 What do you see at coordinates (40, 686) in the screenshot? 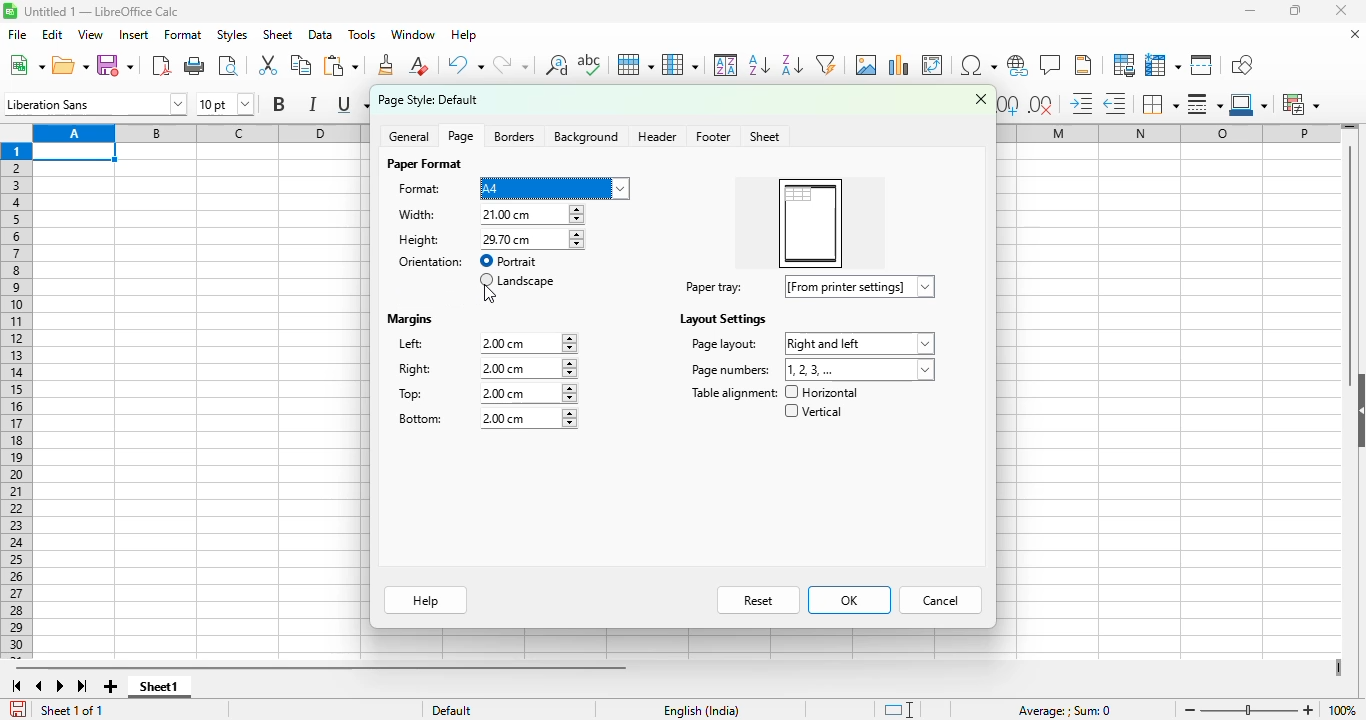
I see `scroll to previous sheet` at bounding box center [40, 686].